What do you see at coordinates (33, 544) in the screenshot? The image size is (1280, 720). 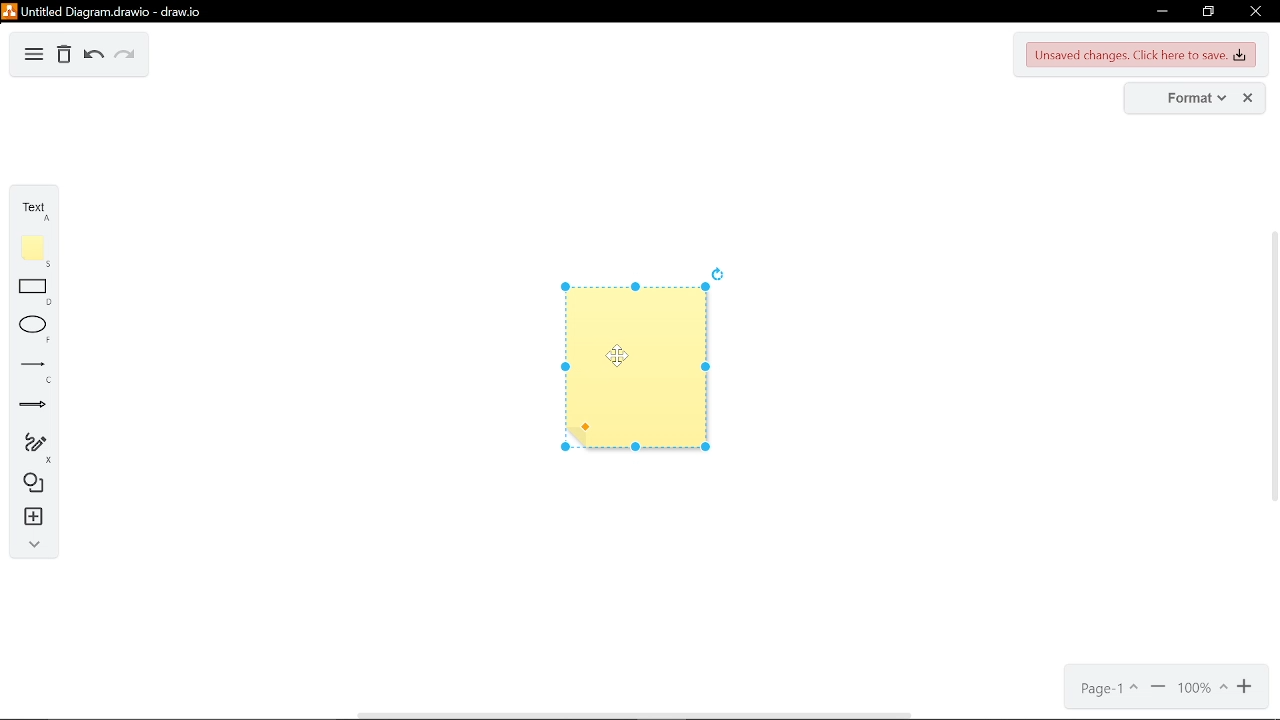 I see `collapse` at bounding box center [33, 544].